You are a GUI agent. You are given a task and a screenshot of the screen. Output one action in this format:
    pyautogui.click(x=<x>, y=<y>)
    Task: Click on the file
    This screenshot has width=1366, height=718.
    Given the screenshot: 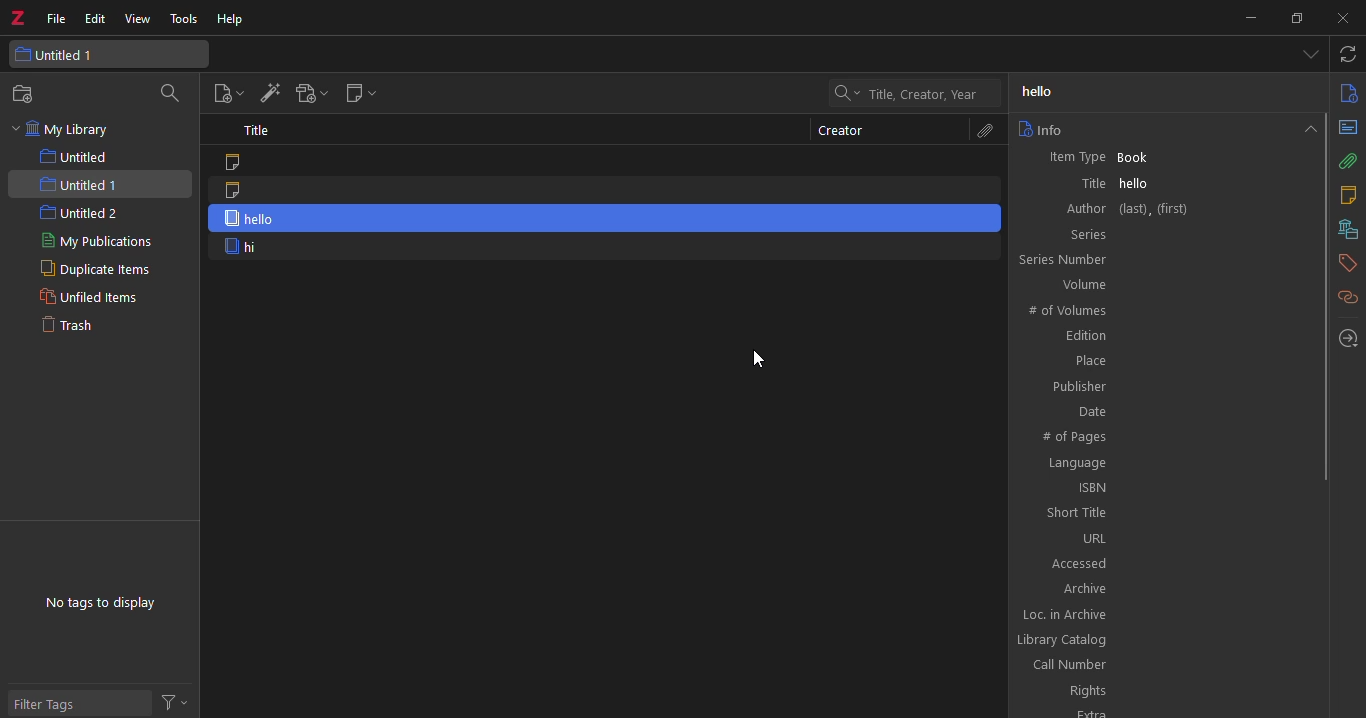 What is the action you would take?
    pyautogui.click(x=56, y=17)
    